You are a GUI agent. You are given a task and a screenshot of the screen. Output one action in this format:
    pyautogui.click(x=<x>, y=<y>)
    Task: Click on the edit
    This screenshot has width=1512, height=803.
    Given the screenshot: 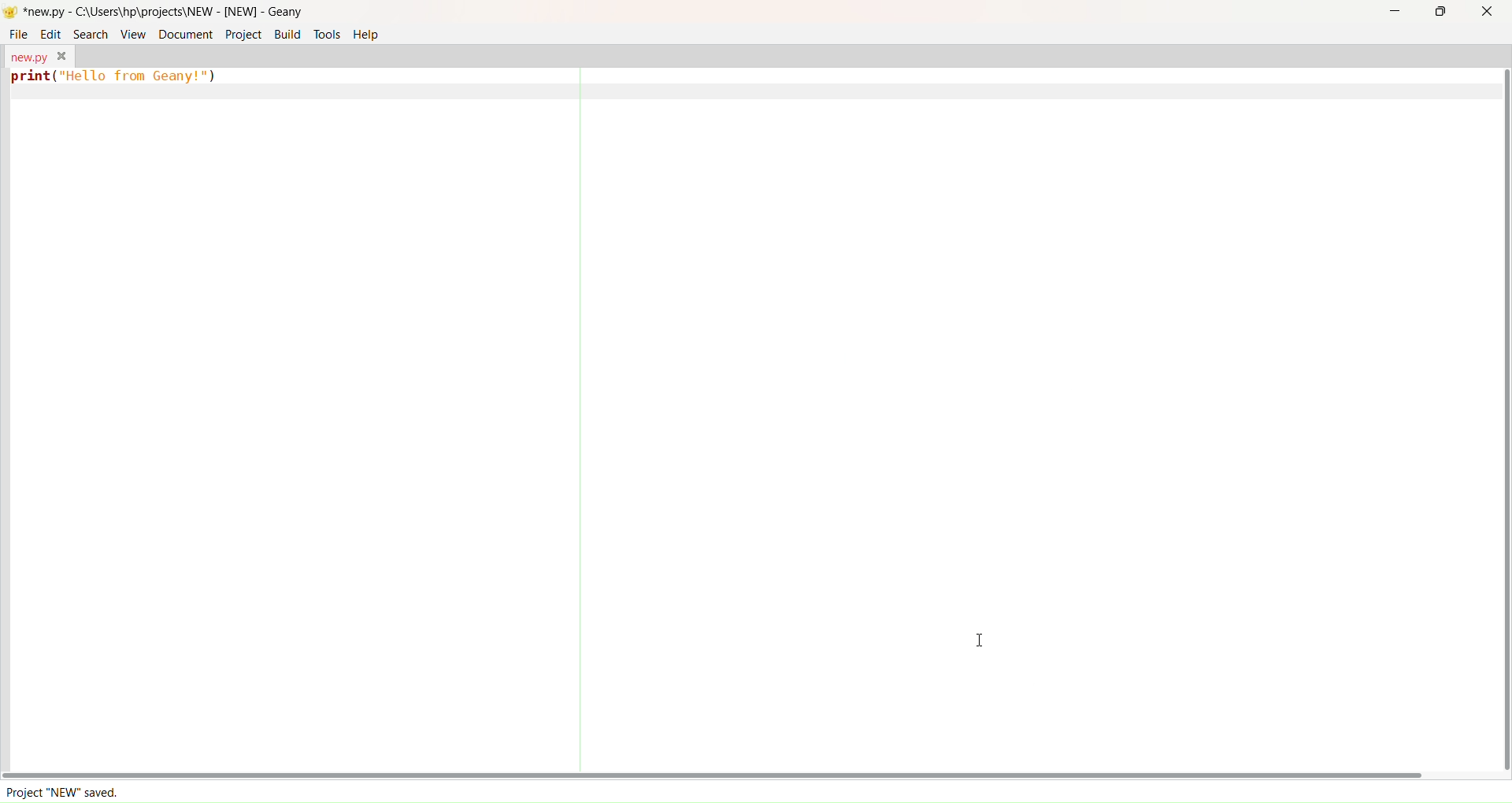 What is the action you would take?
    pyautogui.click(x=51, y=33)
    